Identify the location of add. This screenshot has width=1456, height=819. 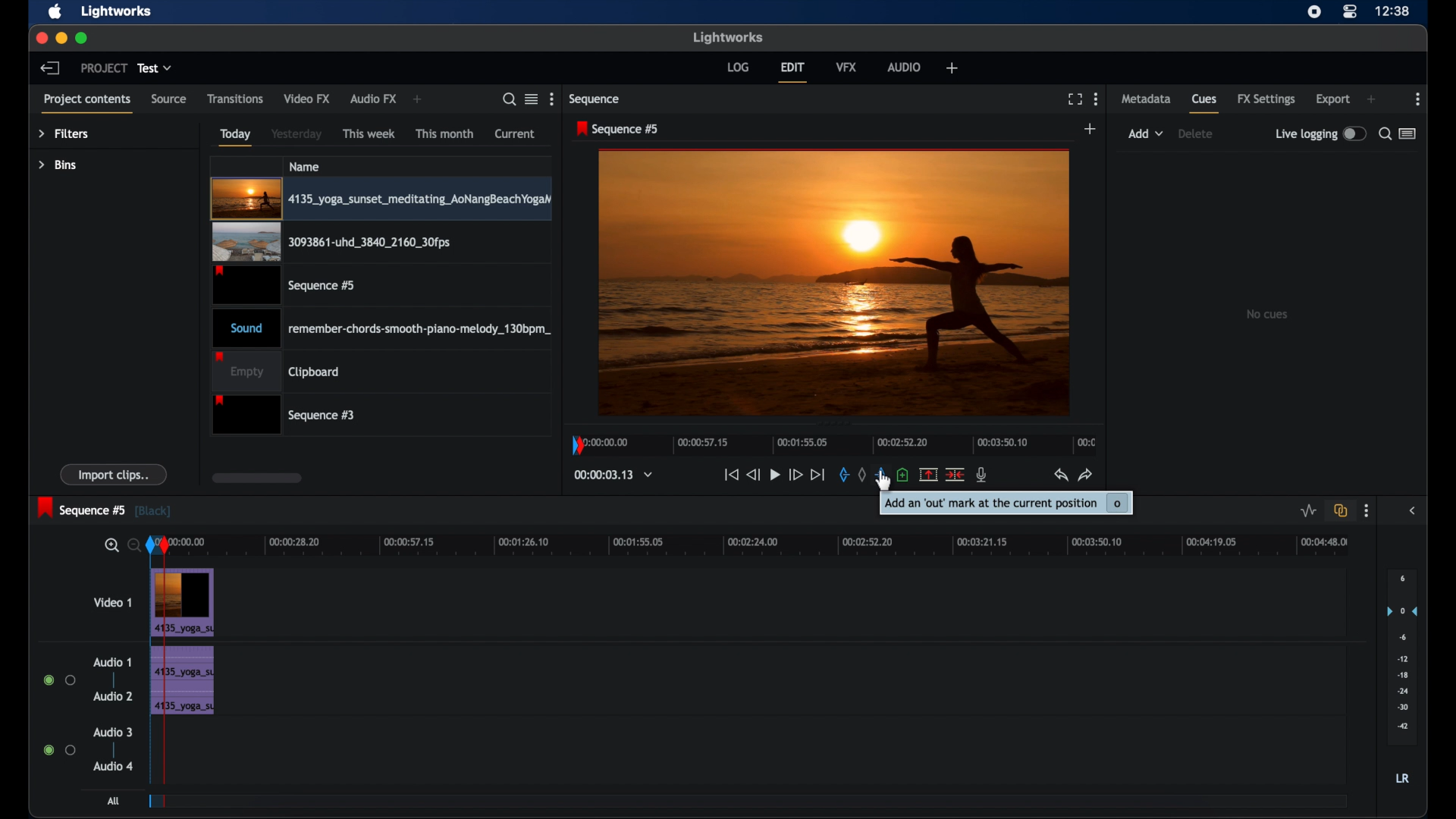
(1371, 99).